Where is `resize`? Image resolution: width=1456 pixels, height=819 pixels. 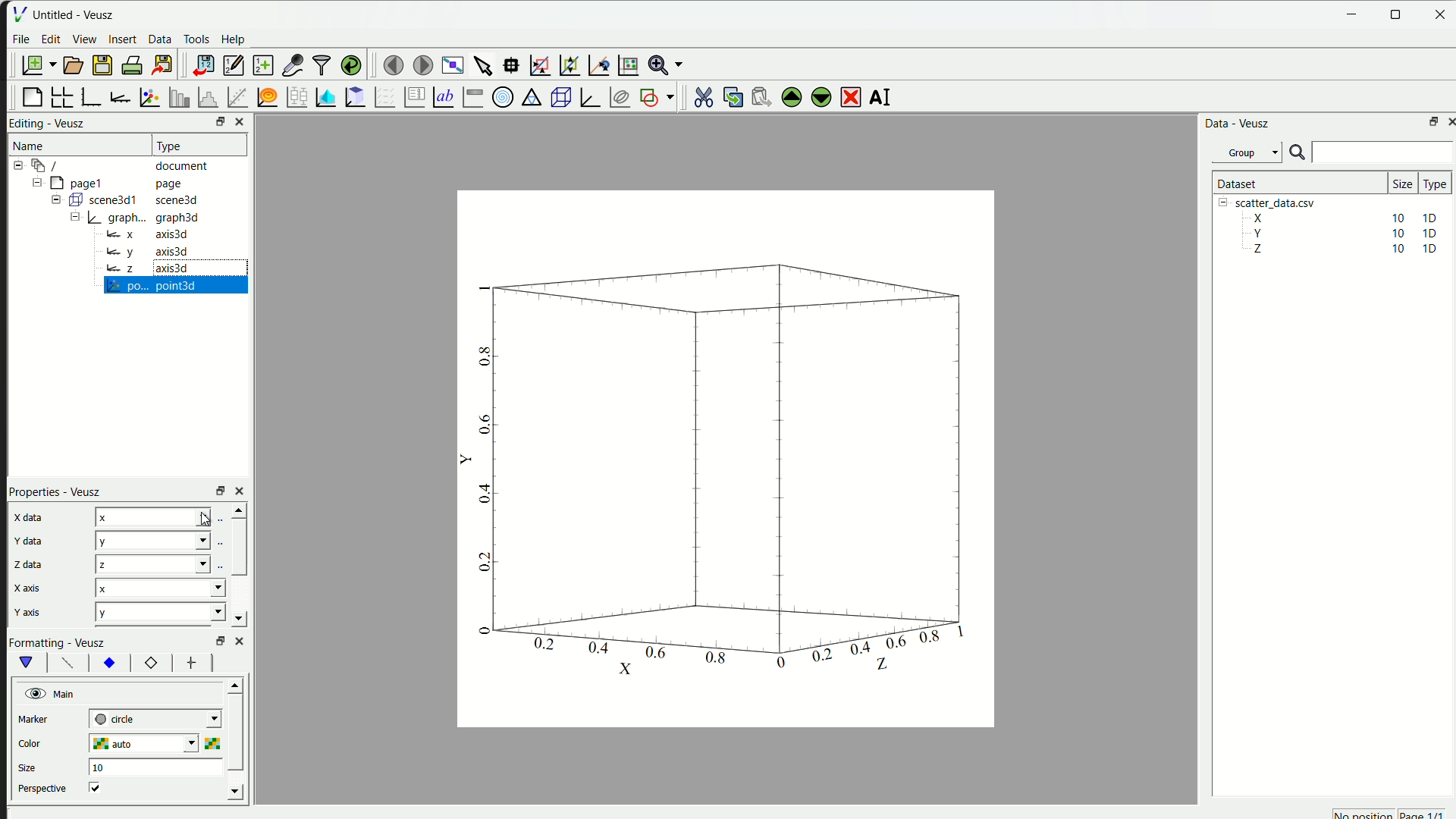 resize is located at coordinates (215, 123).